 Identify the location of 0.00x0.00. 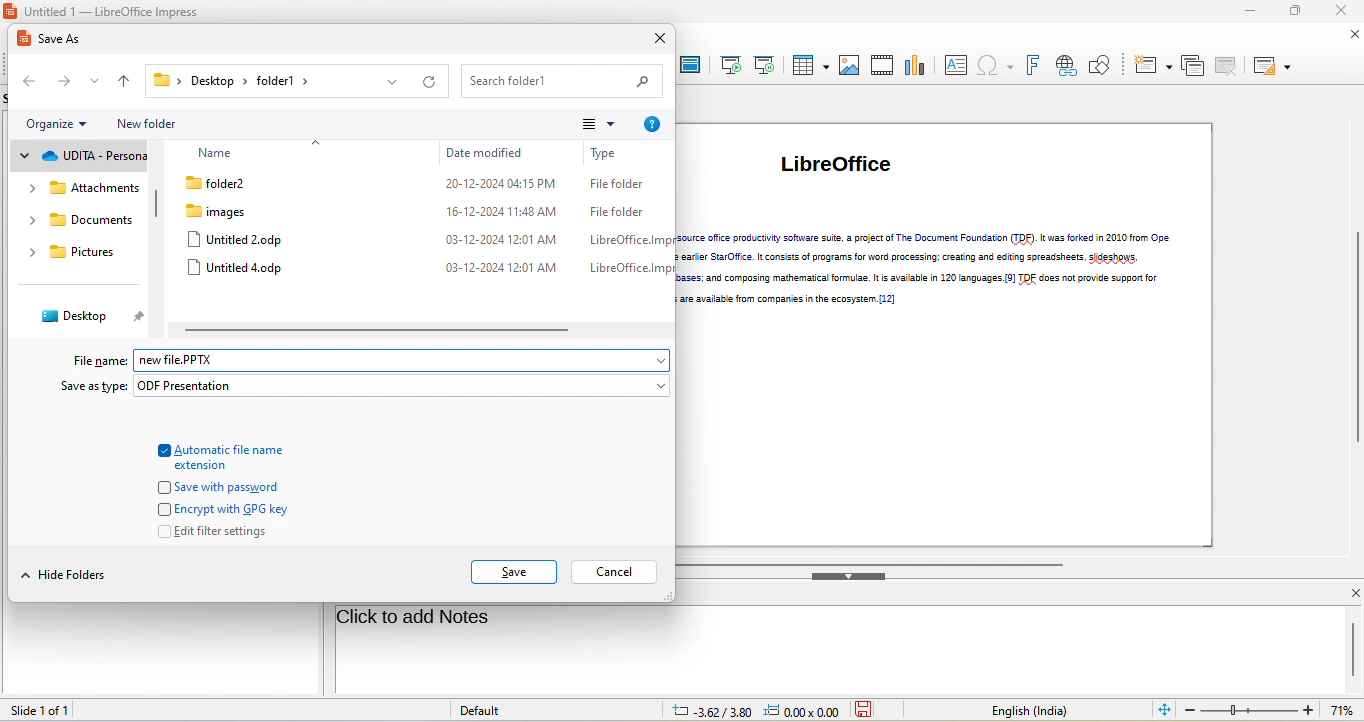
(801, 711).